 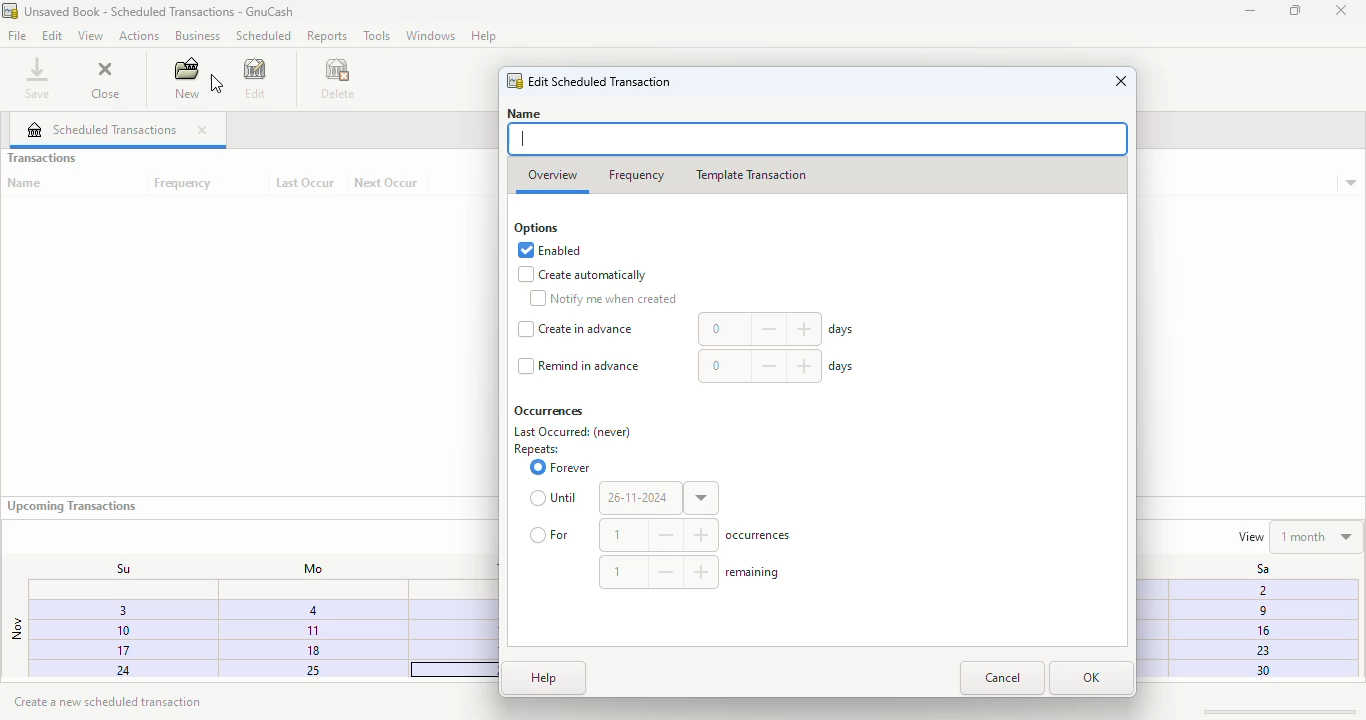 I want to click on 18, so click(x=313, y=649).